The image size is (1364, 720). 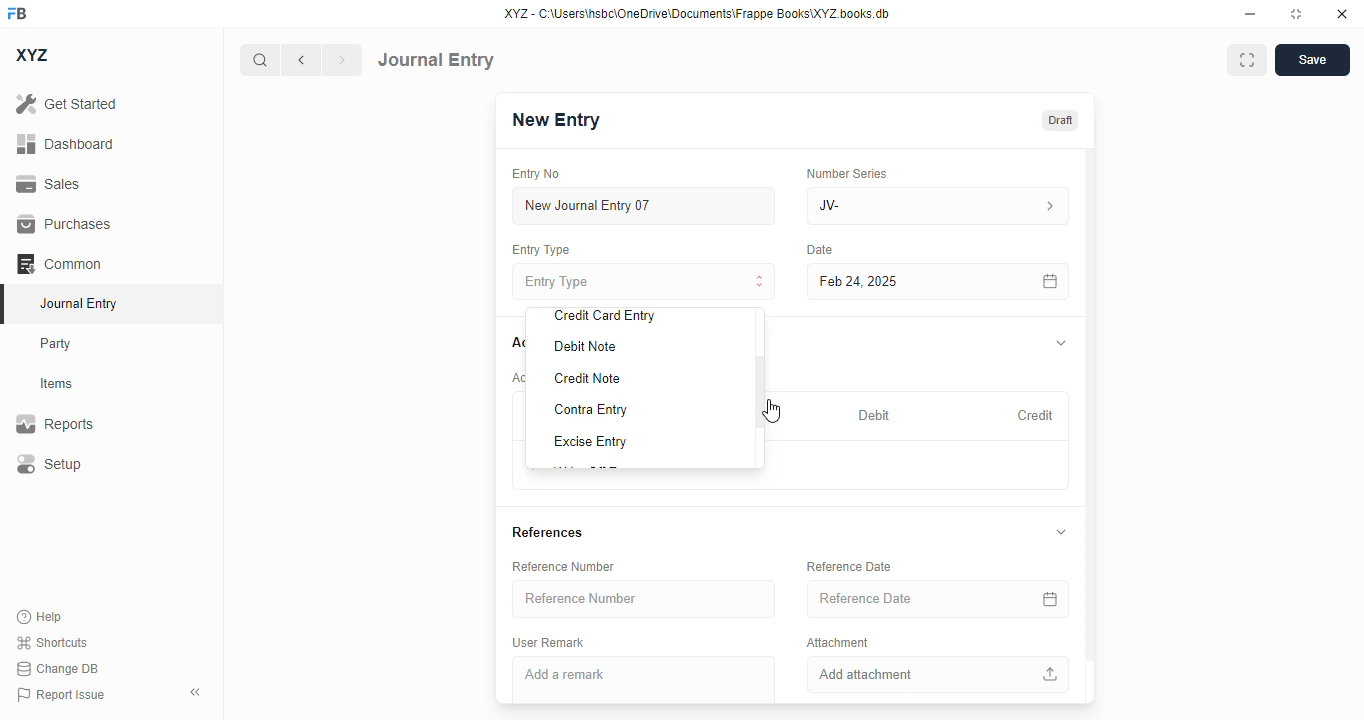 I want to click on reference date, so click(x=850, y=566).